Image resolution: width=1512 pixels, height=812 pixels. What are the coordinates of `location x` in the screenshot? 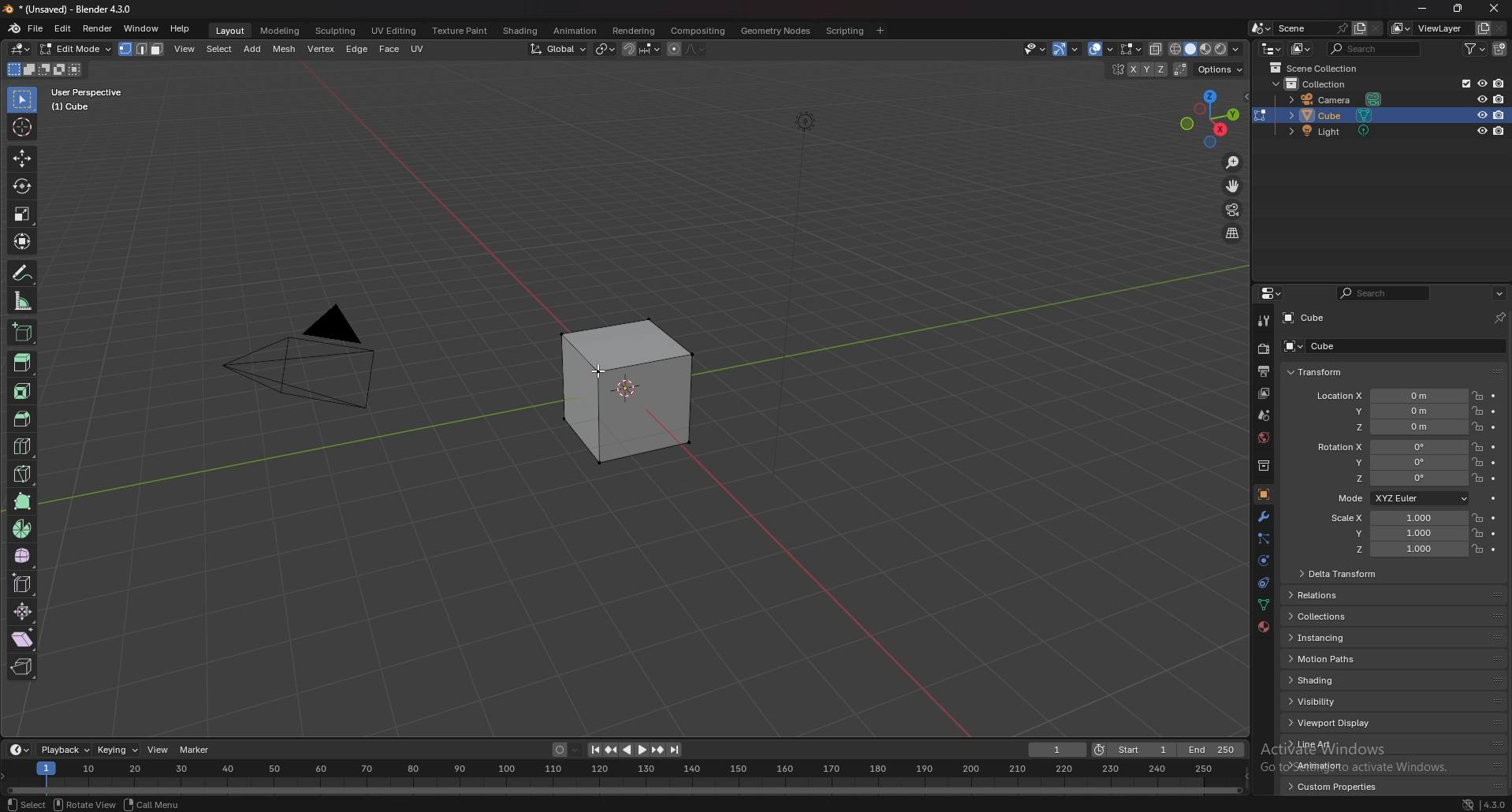 It's located at (1389, 397).